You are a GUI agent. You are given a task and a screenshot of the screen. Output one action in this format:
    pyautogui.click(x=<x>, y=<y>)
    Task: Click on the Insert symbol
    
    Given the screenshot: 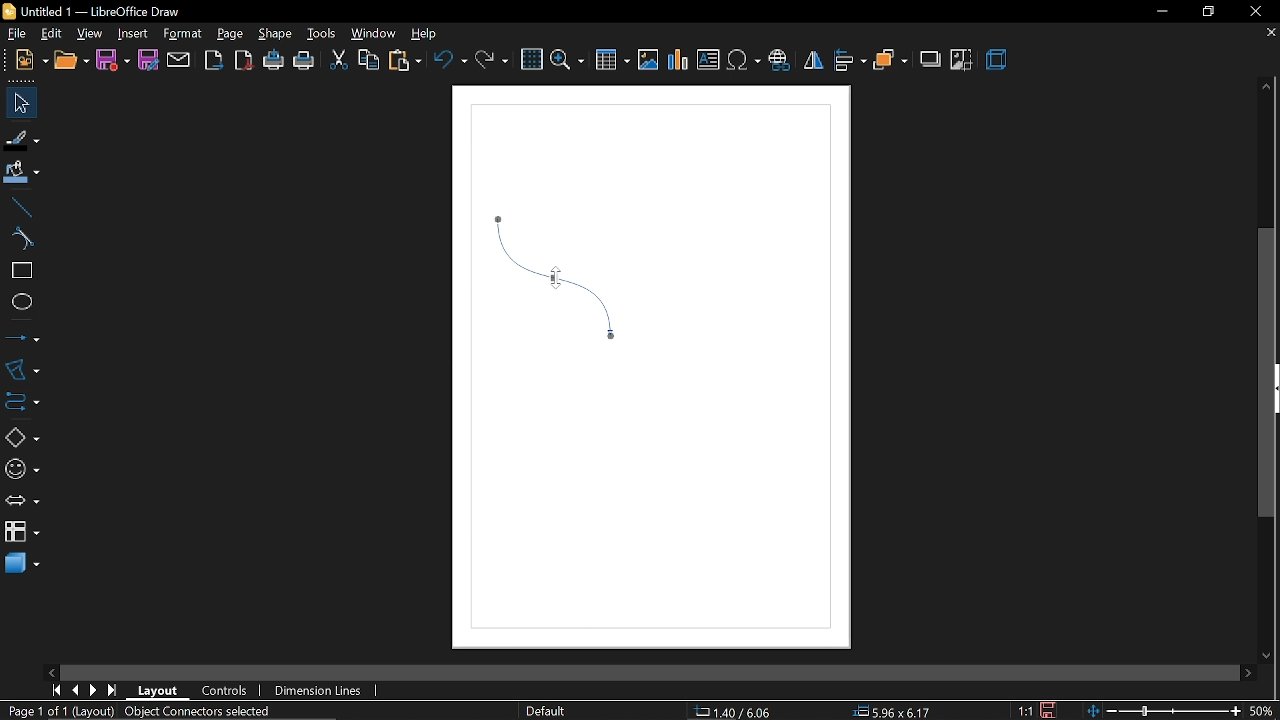 What is the action you would take?
    pyautogui.click(x=743, y=61)
    